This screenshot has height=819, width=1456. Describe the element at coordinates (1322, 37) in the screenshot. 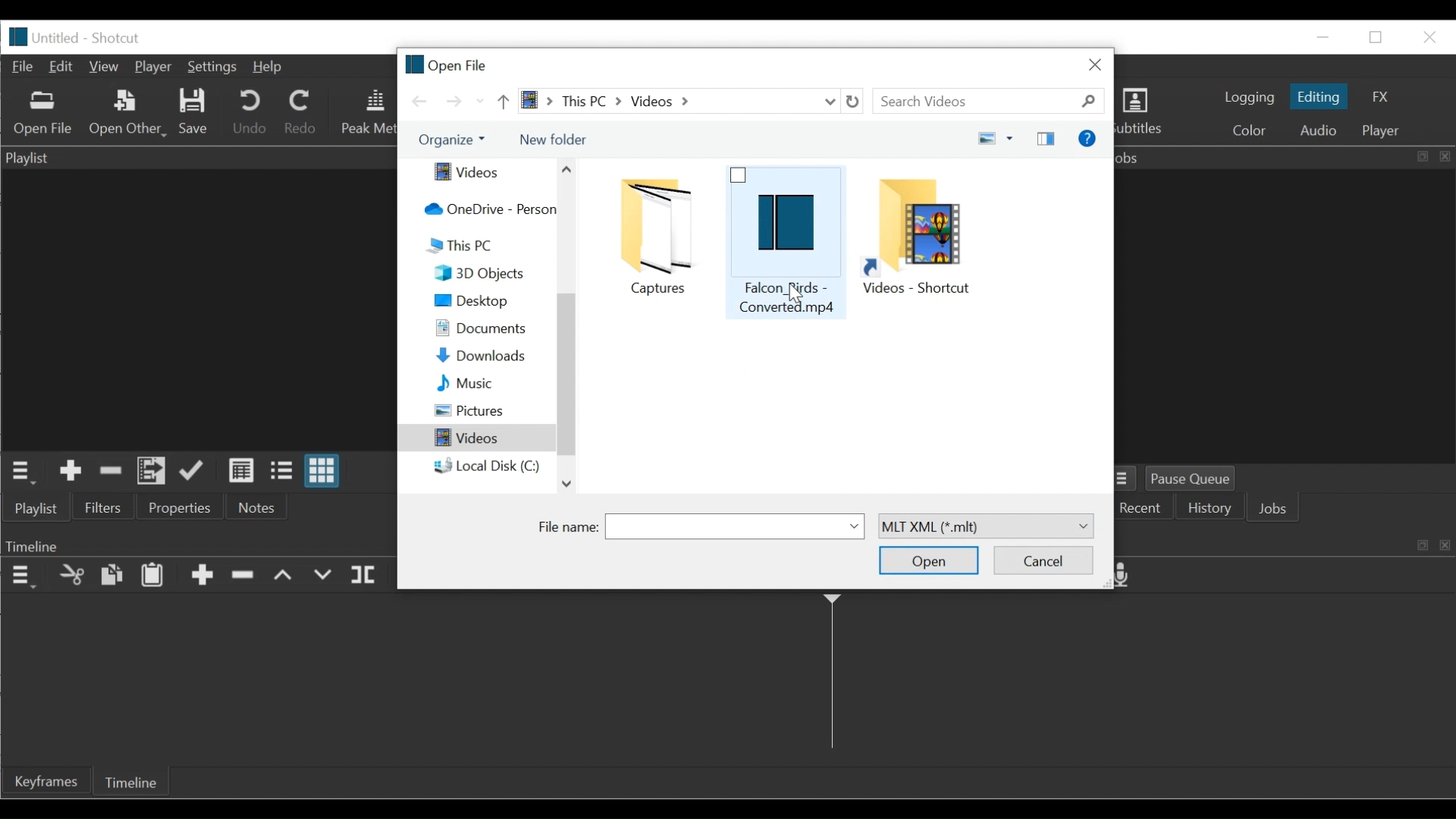

I see `minimize` at that location.